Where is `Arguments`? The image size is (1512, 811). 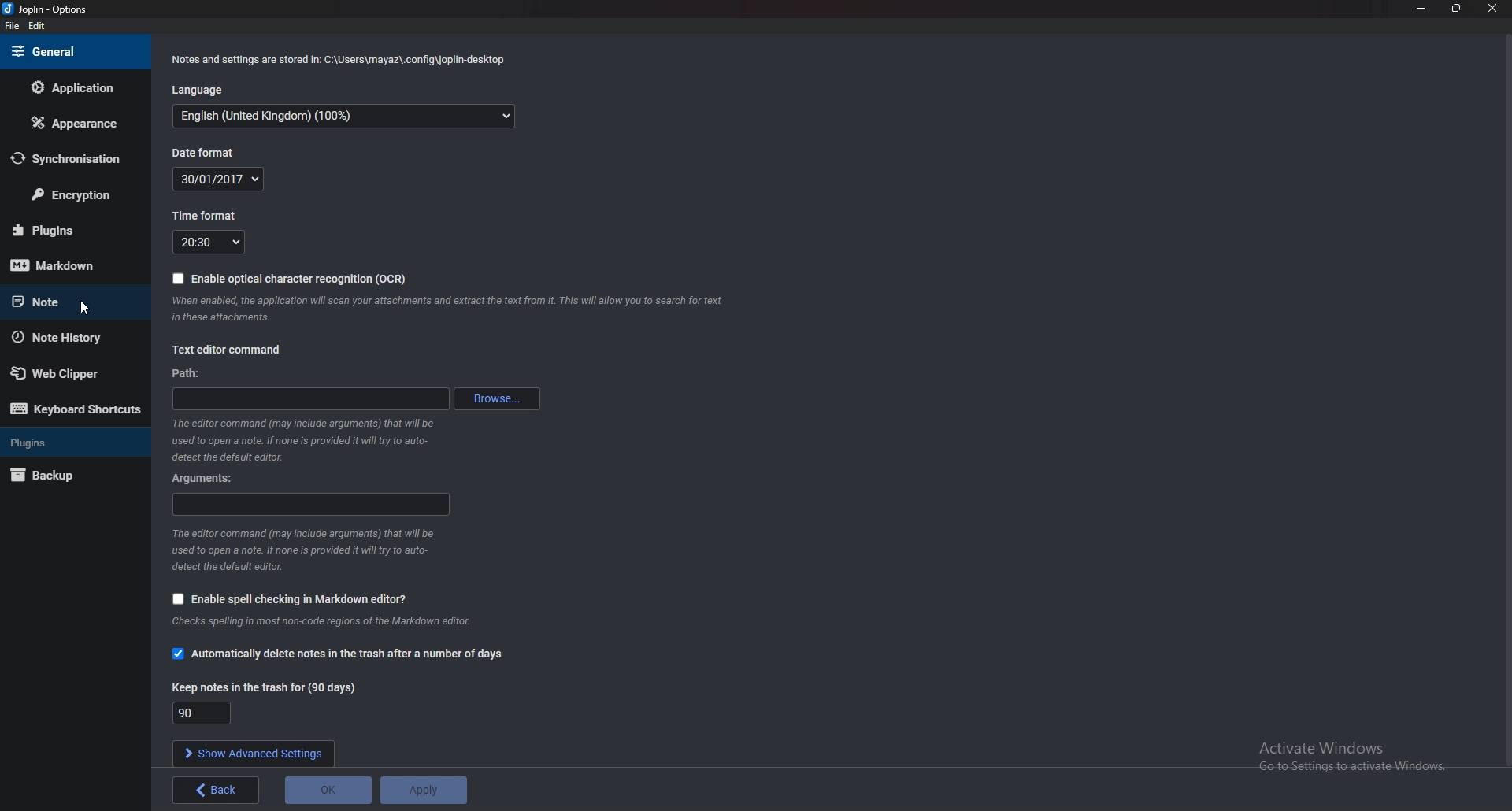 Arguments is located at coordinates (313, 504).